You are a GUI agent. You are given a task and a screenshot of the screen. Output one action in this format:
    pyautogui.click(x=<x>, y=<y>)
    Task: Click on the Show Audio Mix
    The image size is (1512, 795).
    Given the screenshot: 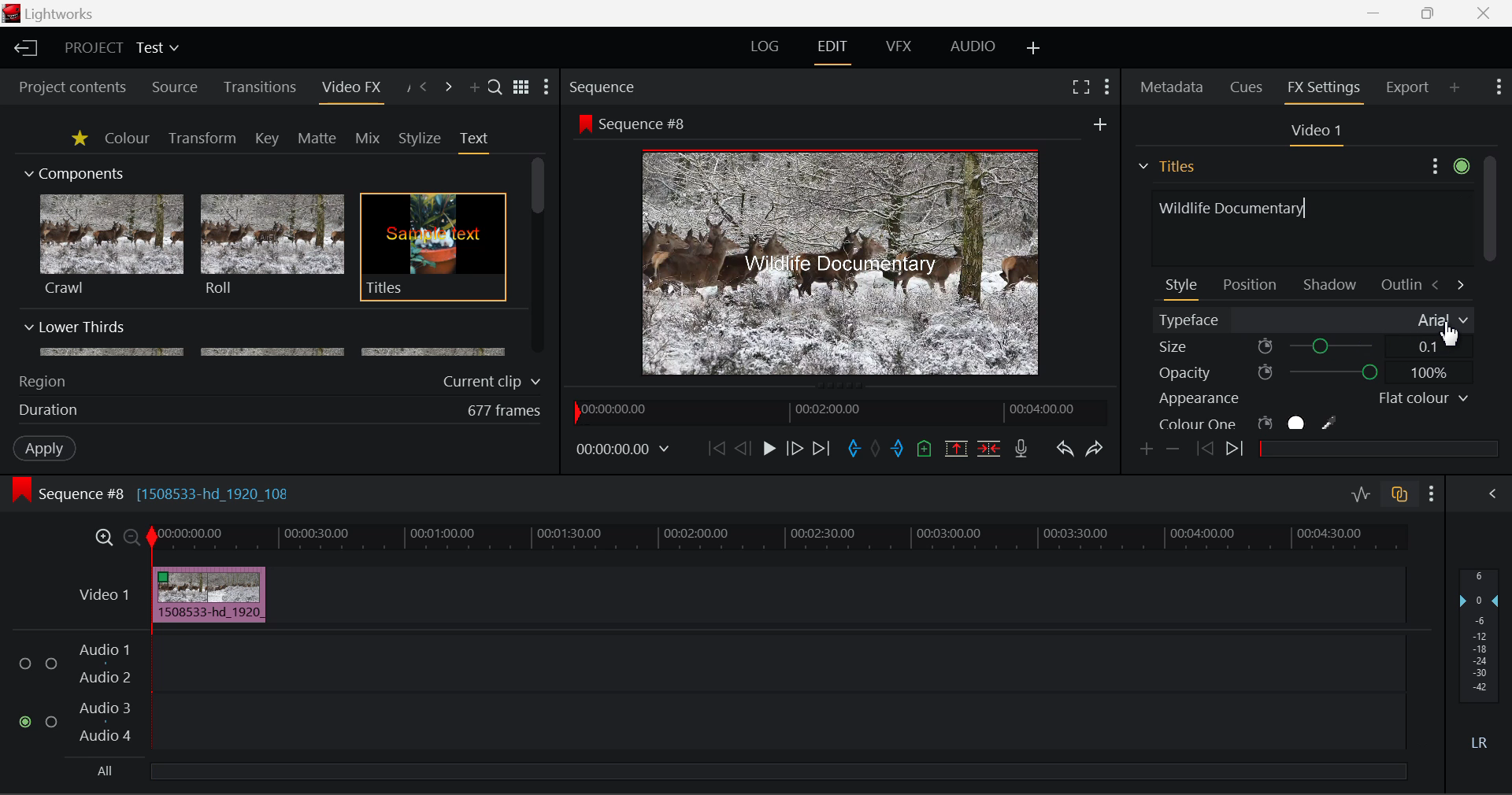 What is the action you would take?
    pyautogui.click(x=1490, y=494)
    